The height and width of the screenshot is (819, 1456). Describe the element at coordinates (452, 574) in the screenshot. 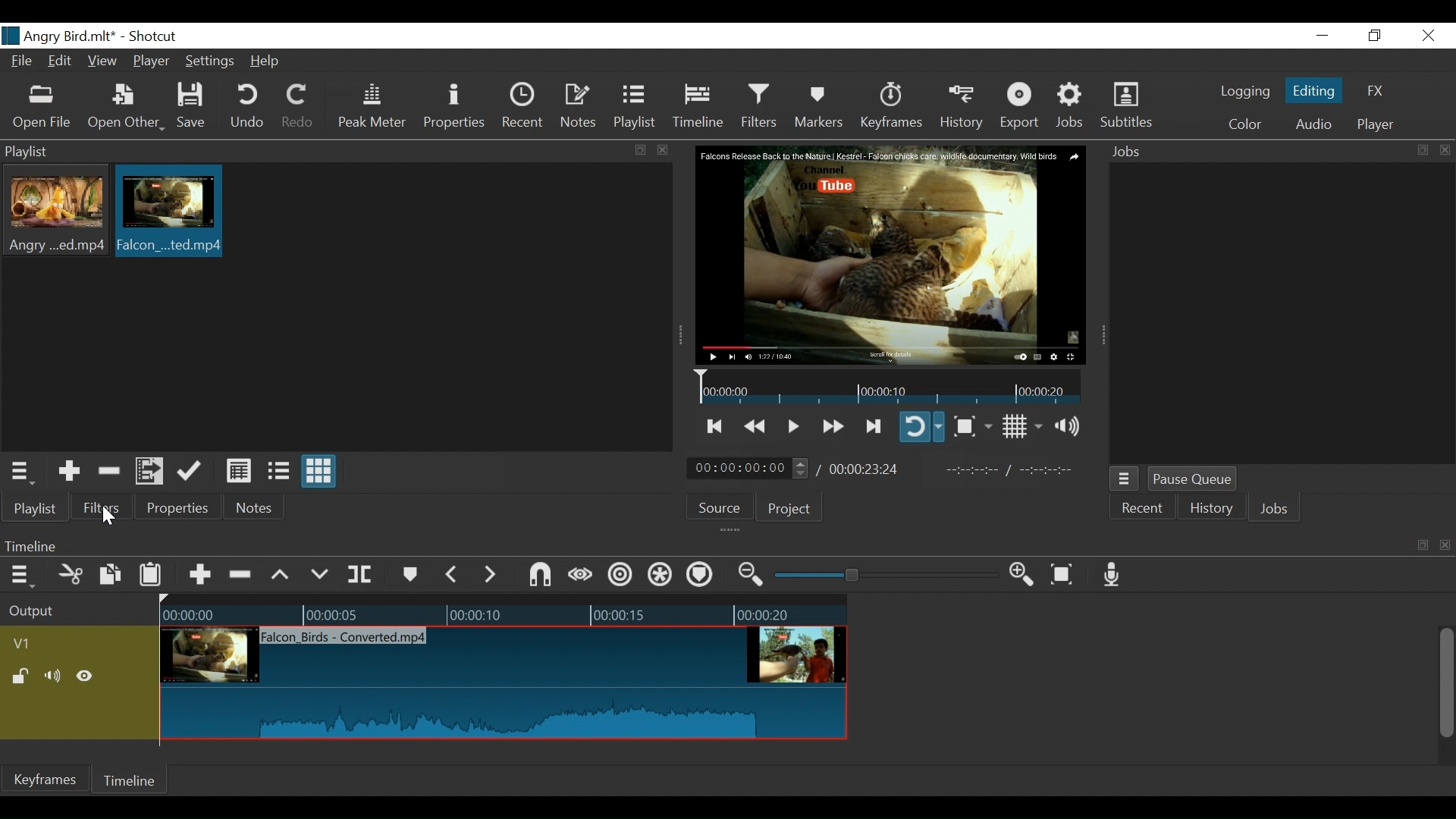

I see `Previous marker` at that location.